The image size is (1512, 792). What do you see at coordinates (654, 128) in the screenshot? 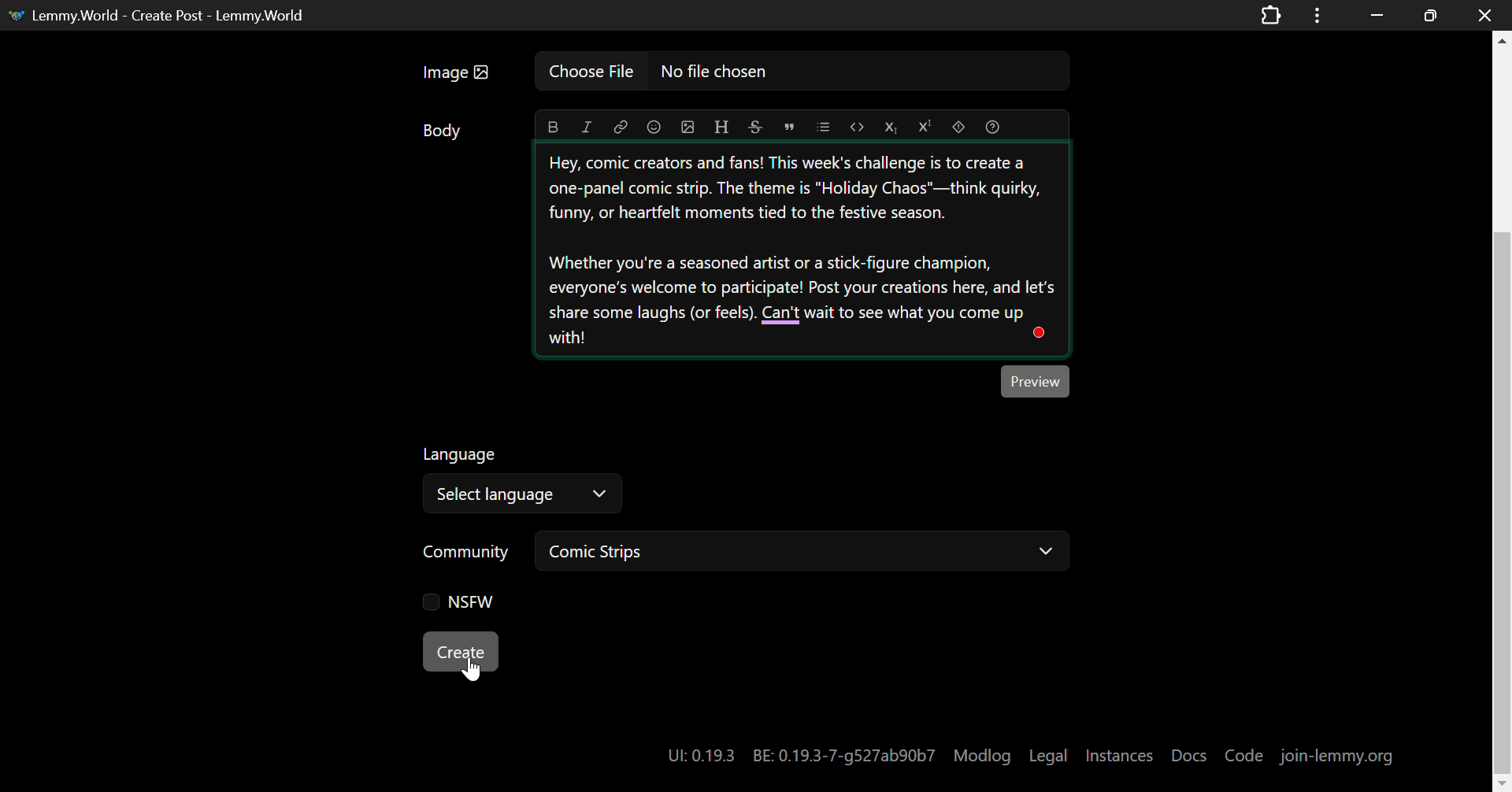
I see `Emoji` at bounding box center [654, 128].